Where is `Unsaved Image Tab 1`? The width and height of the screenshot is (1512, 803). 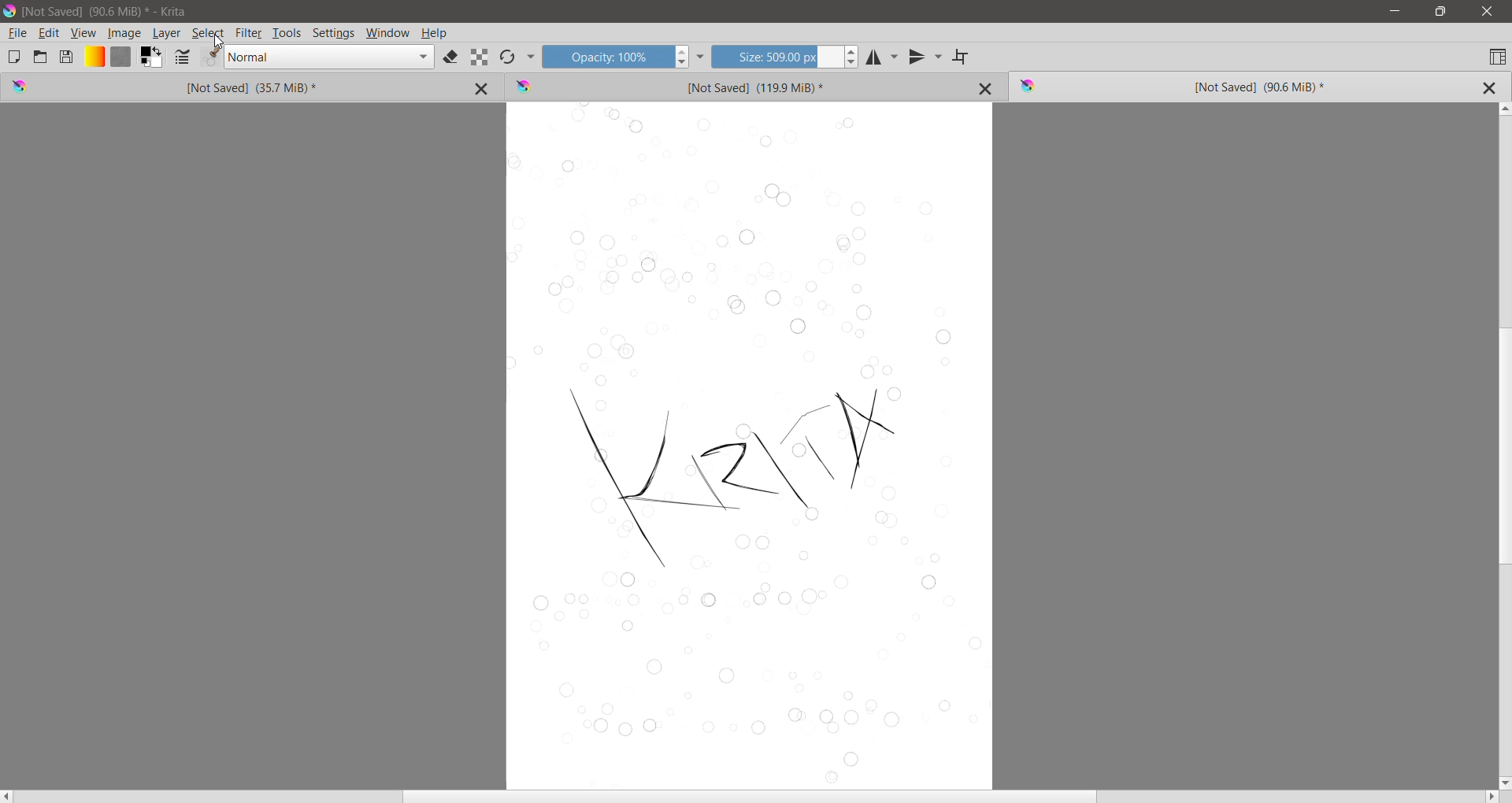 Unsaved Image Tab 1 is located at coordinates (201, 87).